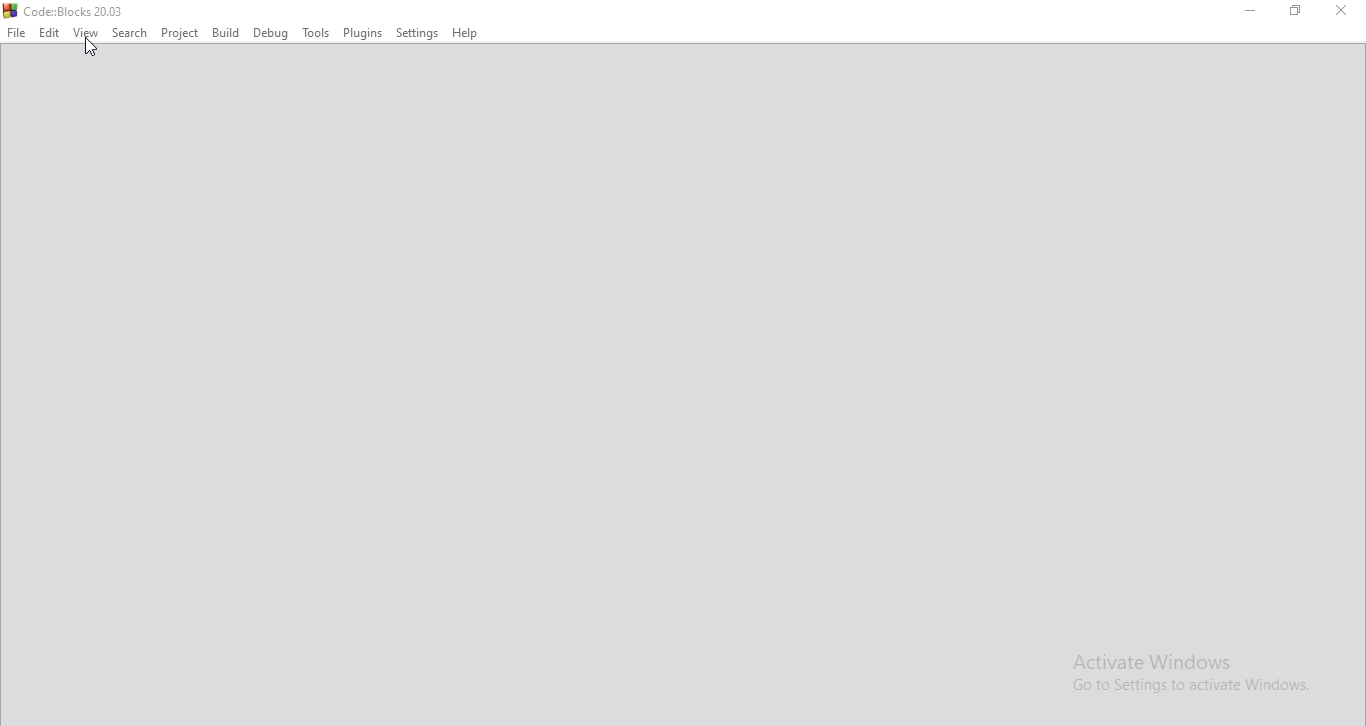  What do you see at coordinates (1340, 12) in the screenshot?
I see `Close` at bounding box center [1340, 12].